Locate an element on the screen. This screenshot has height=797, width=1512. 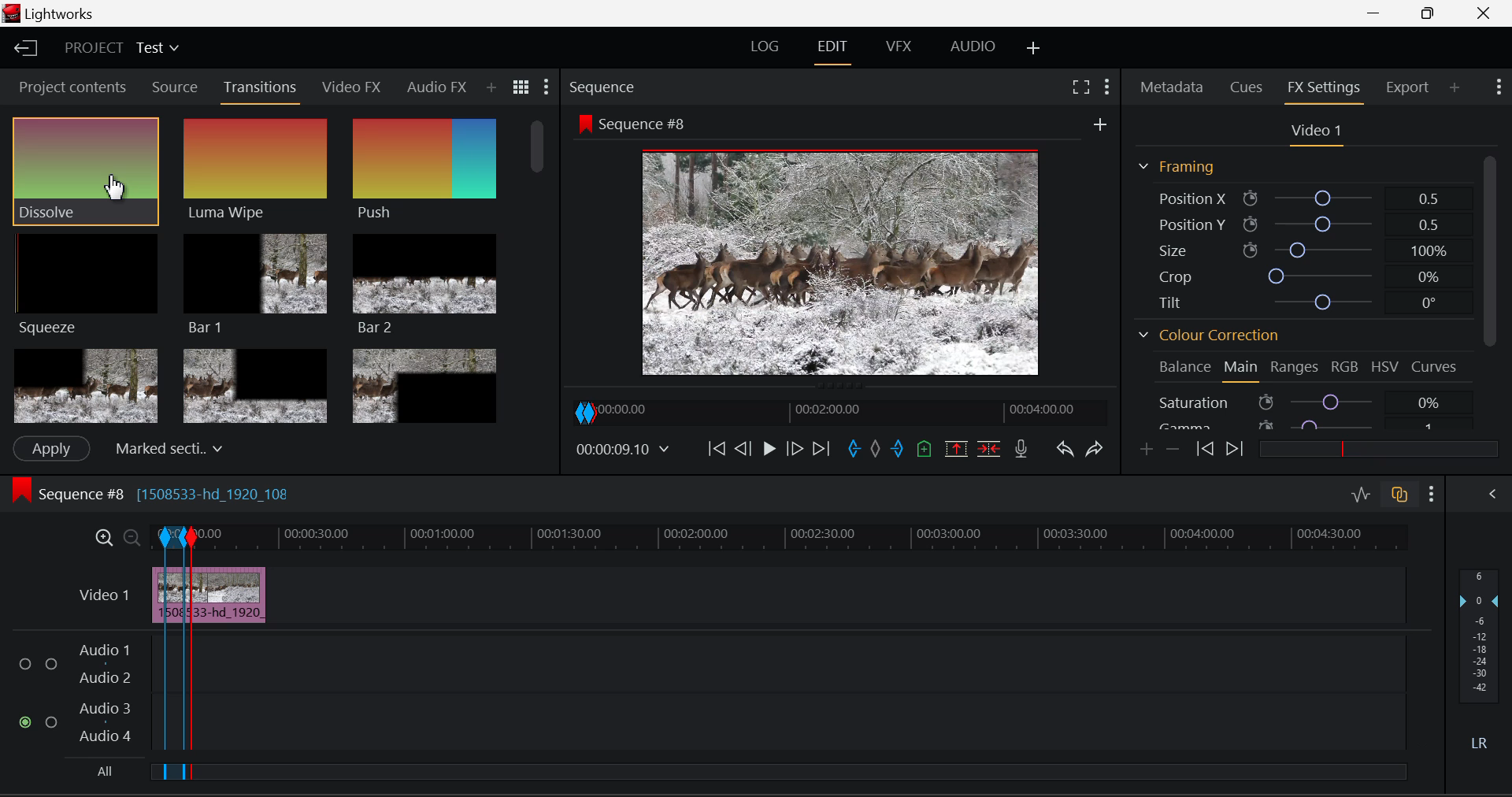
Add Layout is located at coordinates (1034, 50).